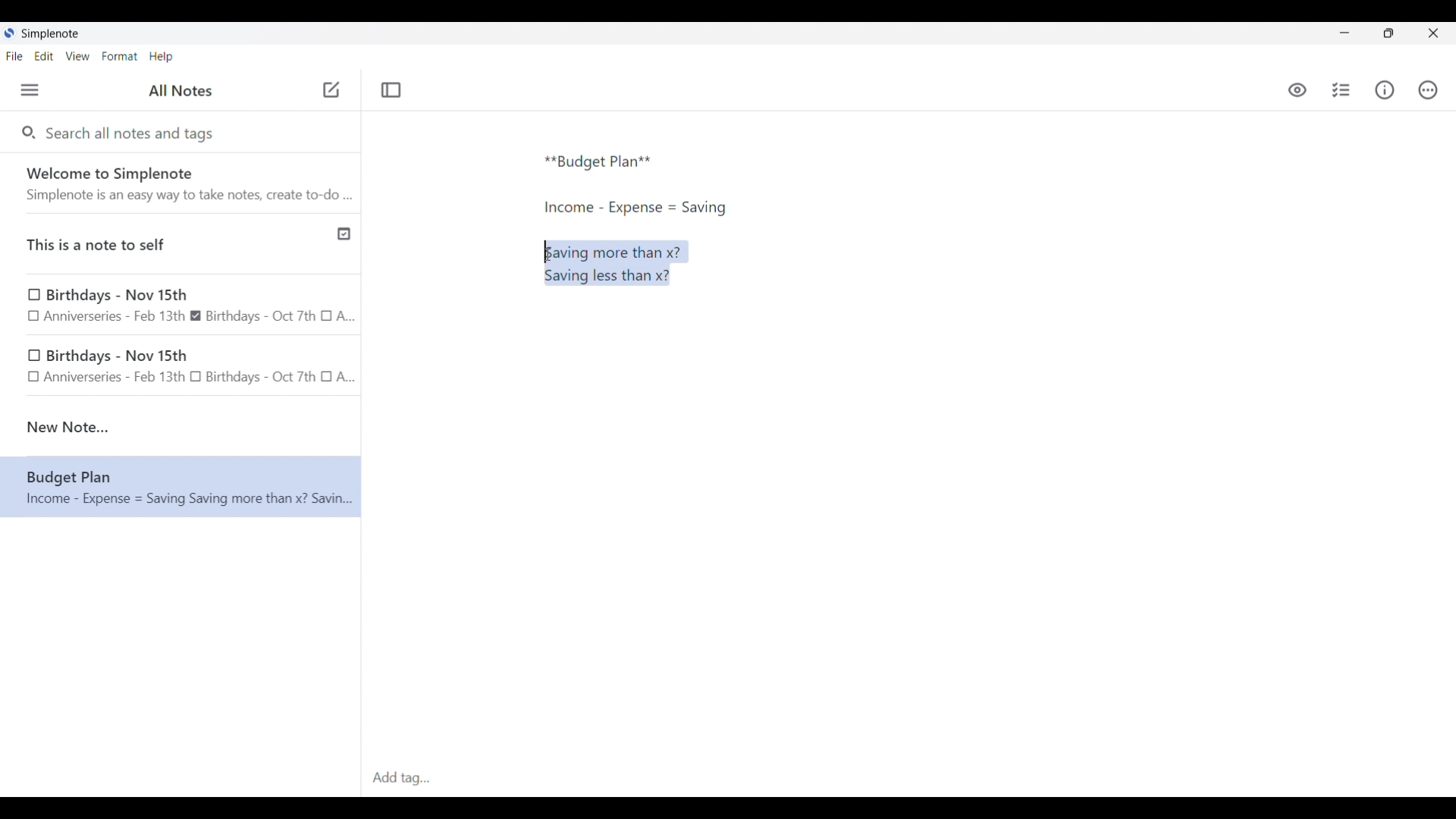 Image resolution: width=1456 pixels, height=819 pixels. What do you see at coordinates (1427, 90) in the screenshot?
I see `Actions` at bounding box center [1427, 90].